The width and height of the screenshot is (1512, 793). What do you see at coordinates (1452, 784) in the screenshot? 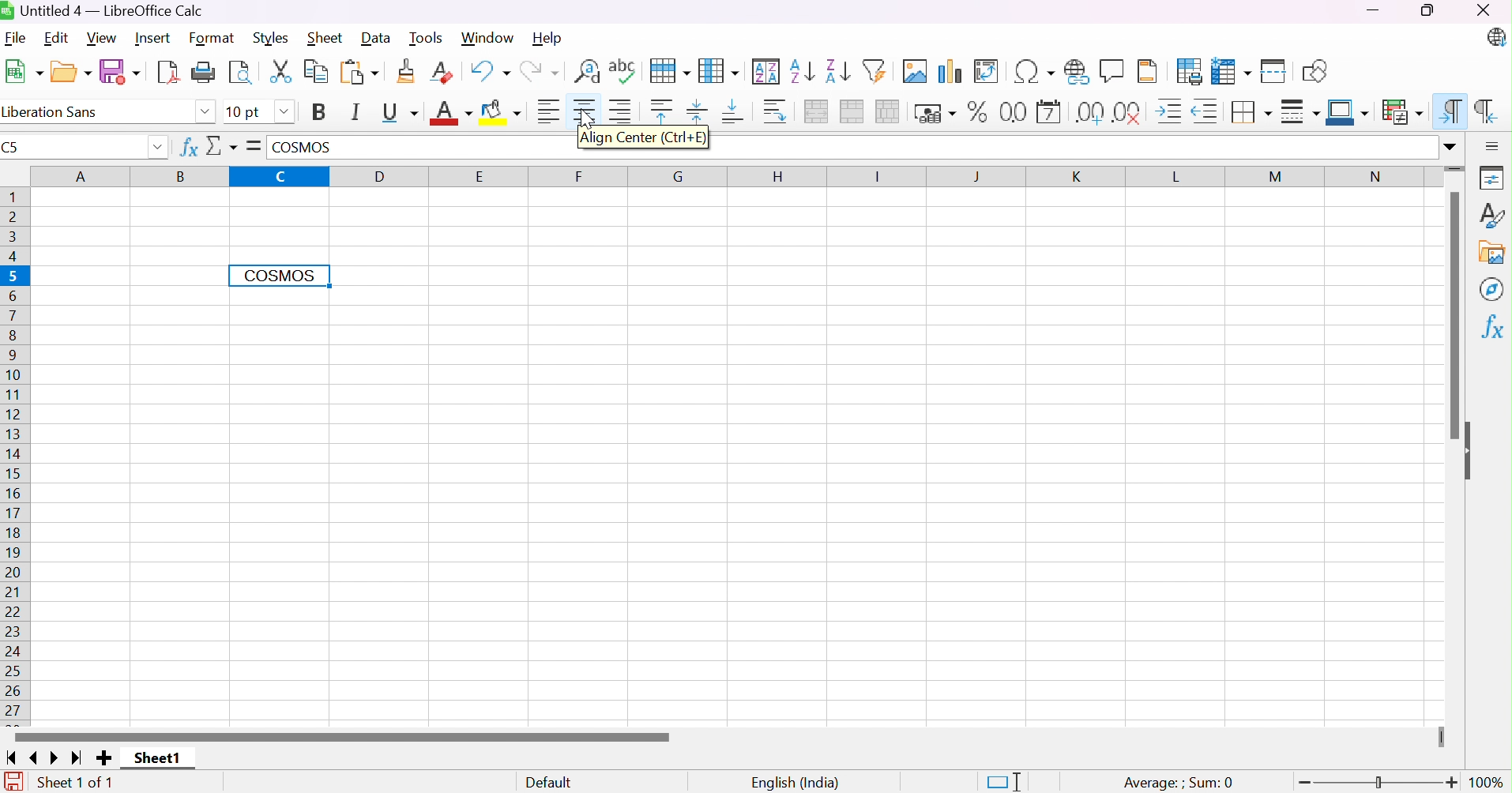
I see `Zoom In` at bounding box center [1452, 784].